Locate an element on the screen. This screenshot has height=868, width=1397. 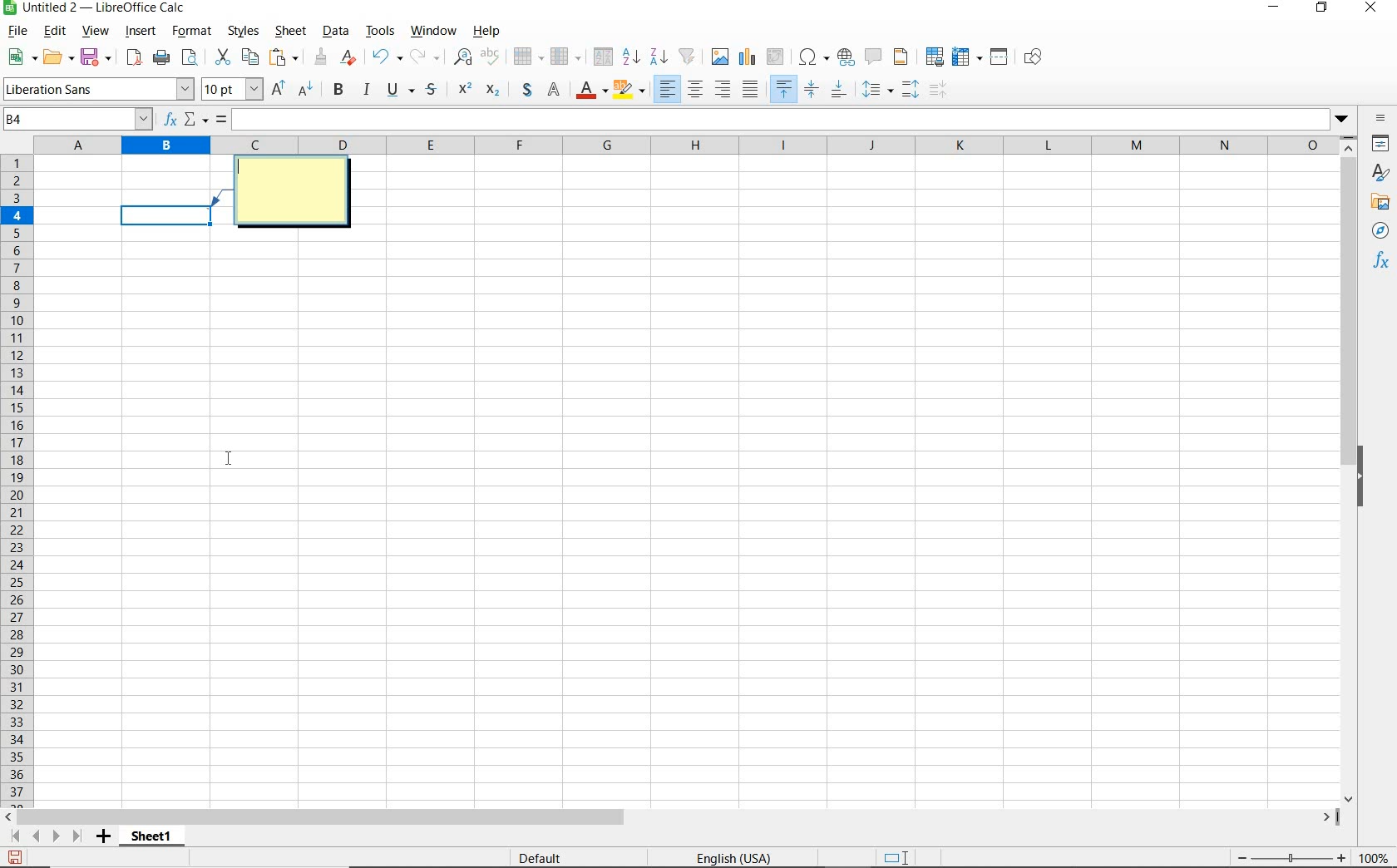
columns is located at coordinates (688, 145).